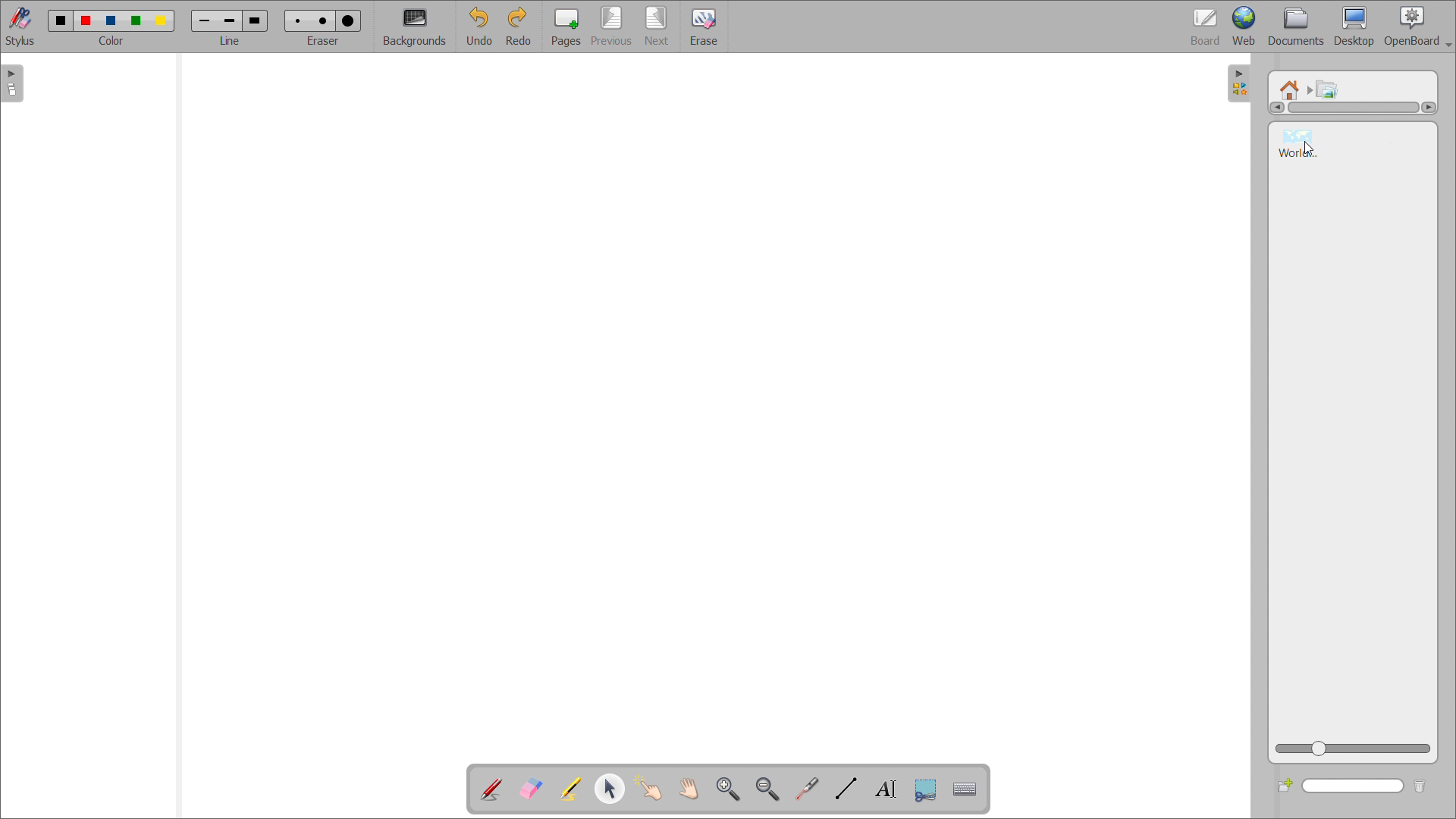 This screenshot has width=1456, height=819. Describe the element at coordinates (1297, 143) in the screenshot. I see `world` at that location.